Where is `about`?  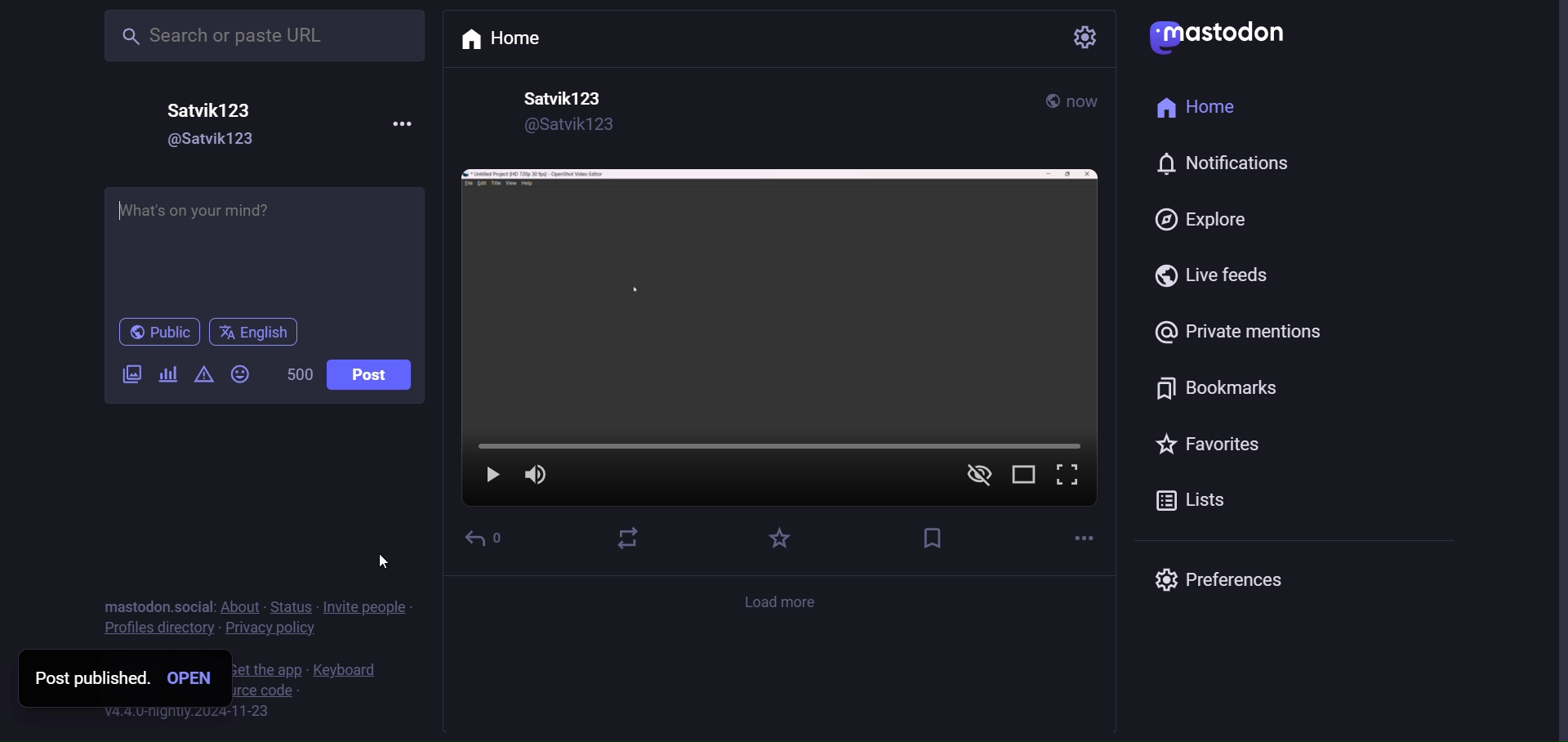 about is located at coordinates (240, 606).